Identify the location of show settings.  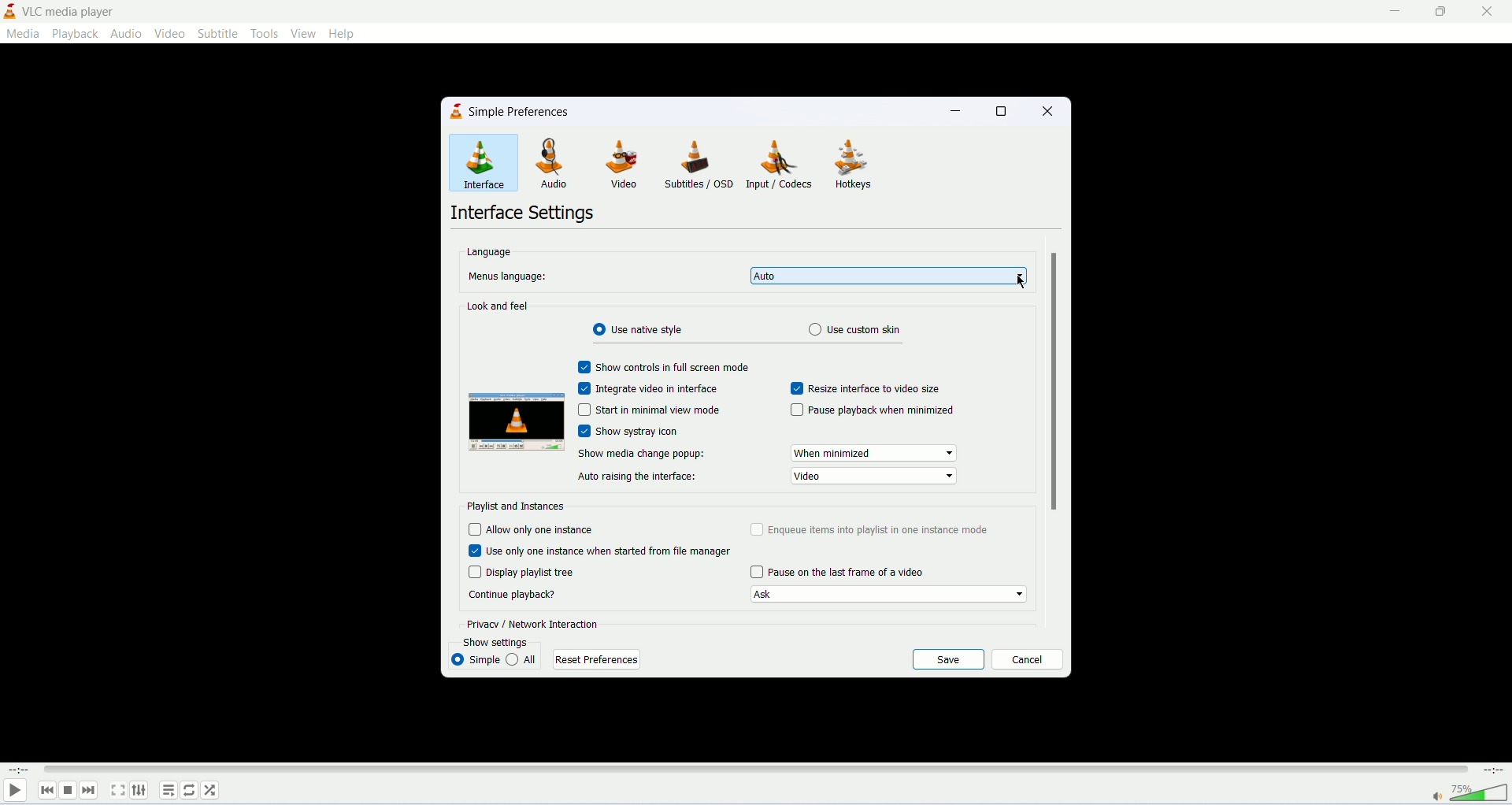
(508, 641).